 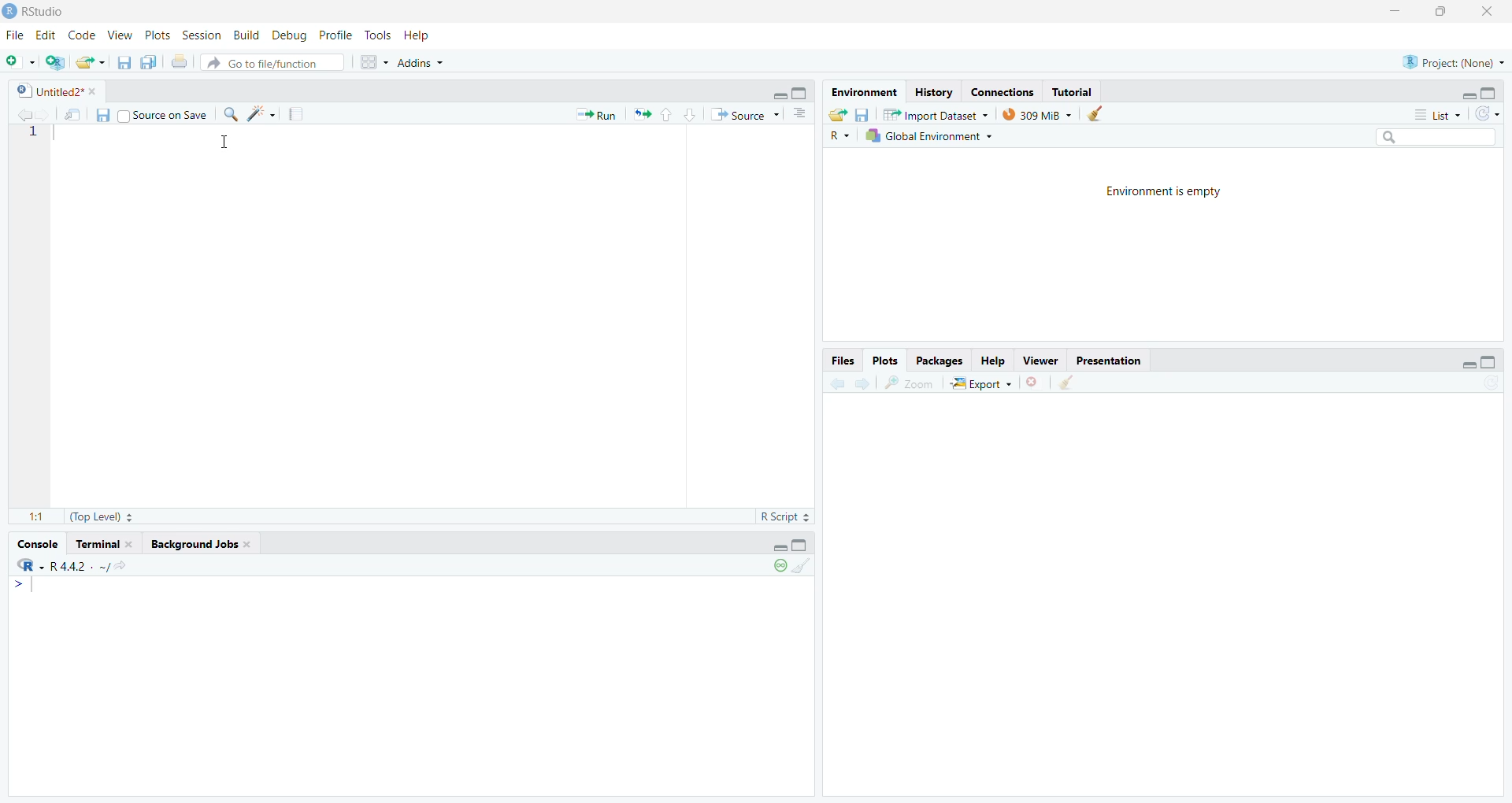 I want to click on ‘Global Environment, so click(x=930, y=135).